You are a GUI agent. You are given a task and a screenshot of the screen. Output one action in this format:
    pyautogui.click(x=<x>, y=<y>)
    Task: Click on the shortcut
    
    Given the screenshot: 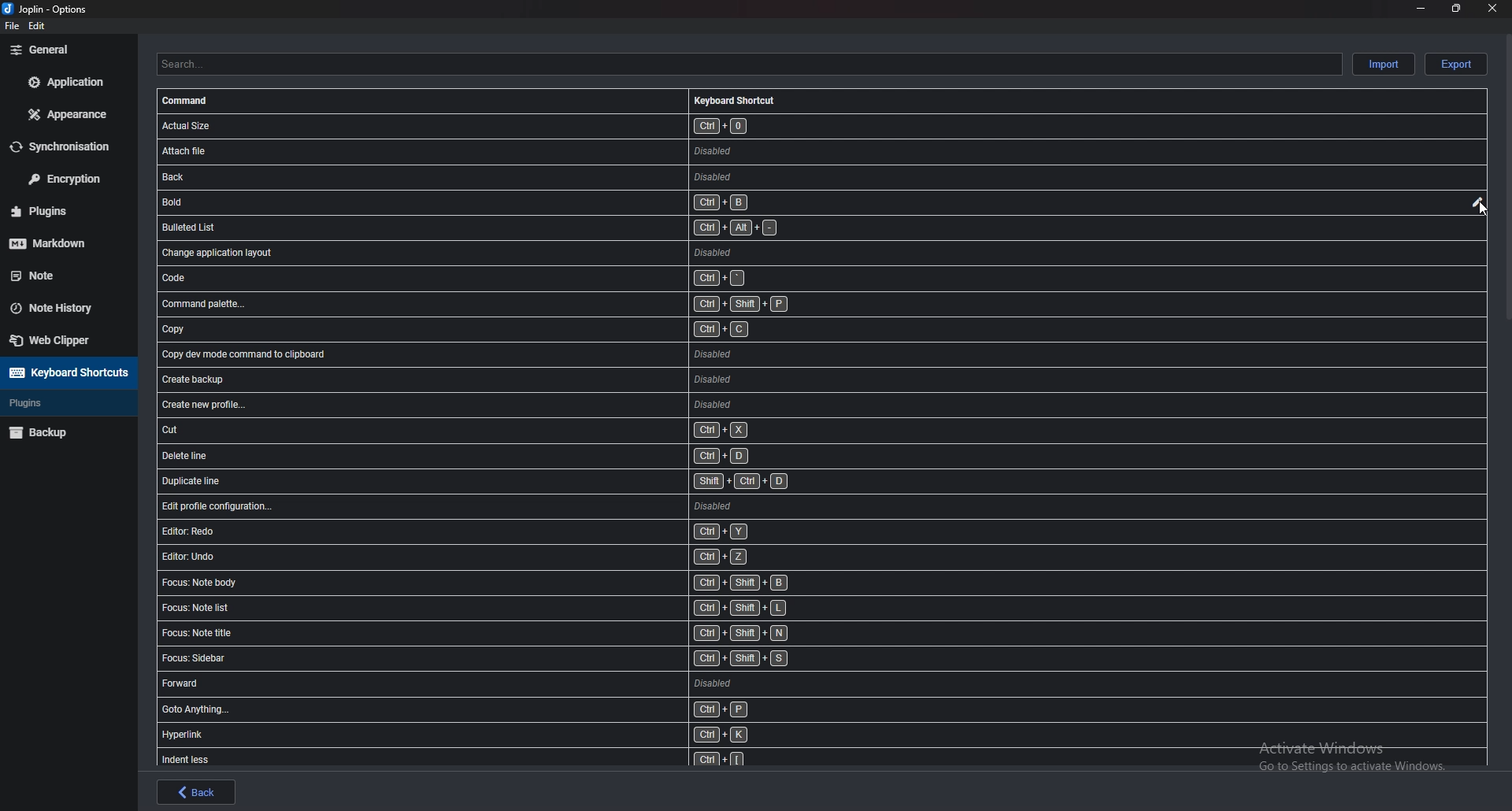 What is the action you would take?
    pyautogui.click(x=470, y=203)
    